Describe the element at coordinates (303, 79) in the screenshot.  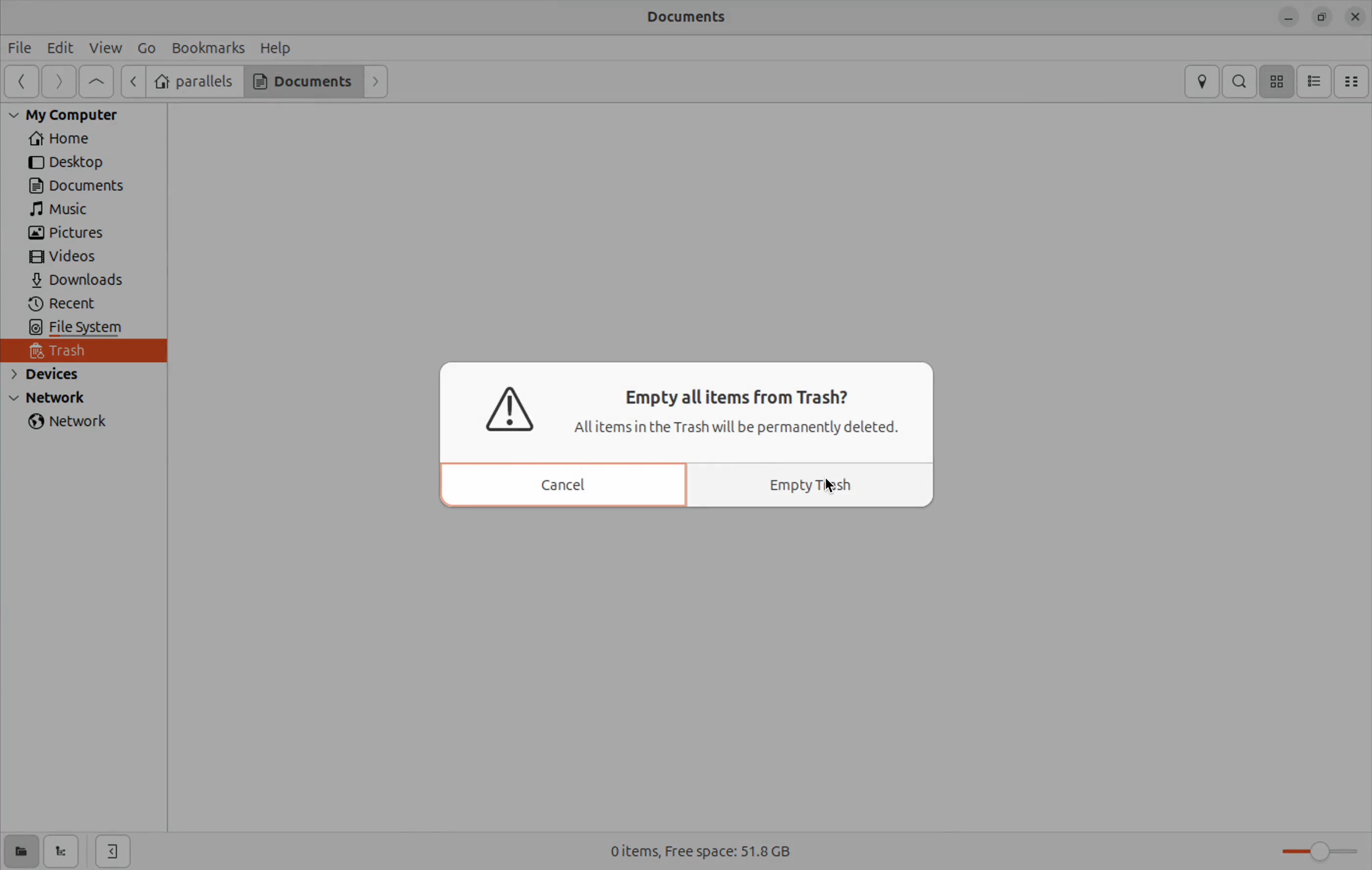
I see `Documents` at that location.